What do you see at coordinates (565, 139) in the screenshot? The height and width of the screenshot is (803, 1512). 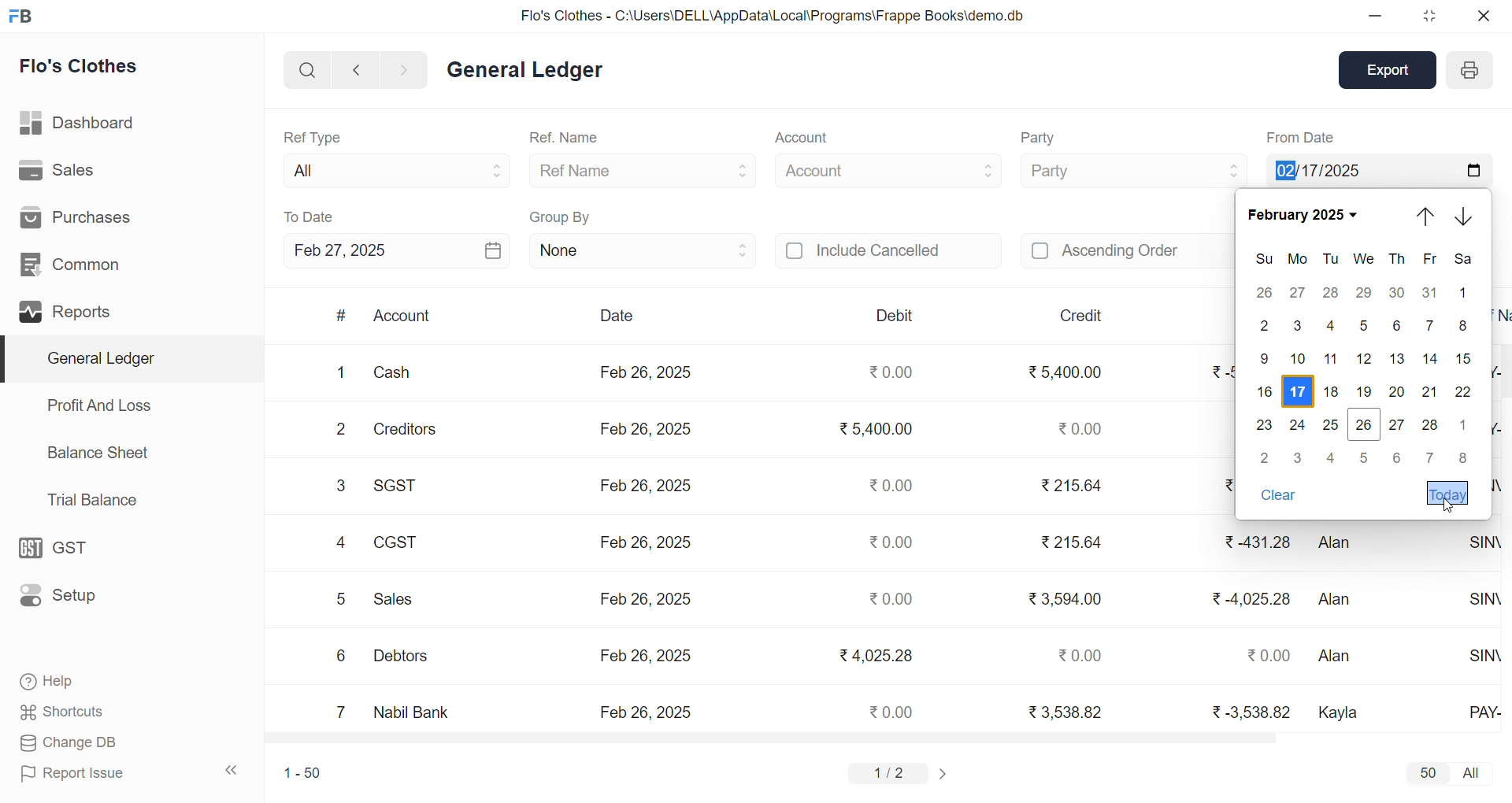 I see `Ref. Name` at bounding box center [565, 139].